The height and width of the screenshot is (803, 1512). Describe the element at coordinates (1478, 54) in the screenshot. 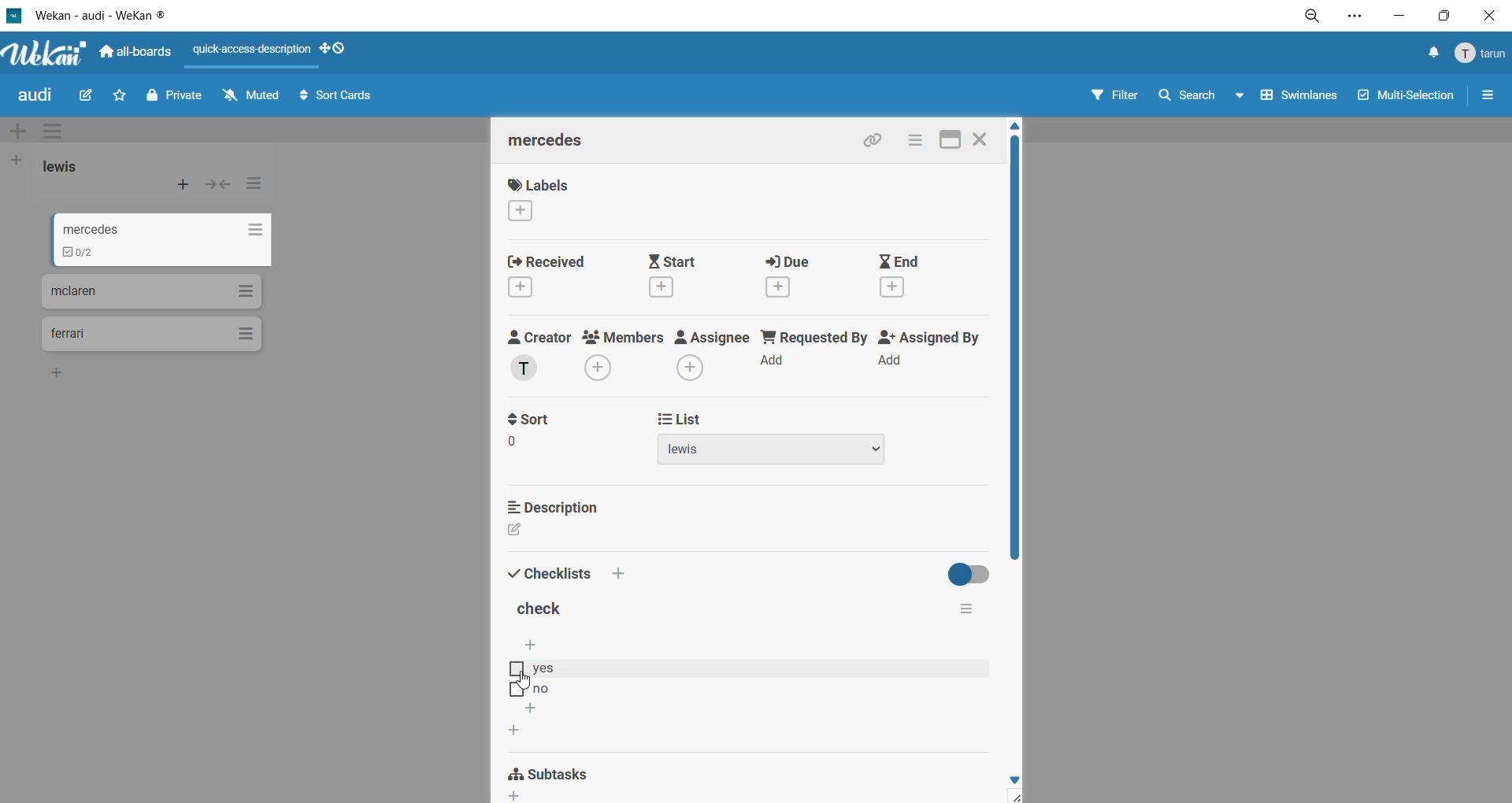

I see `menu` at that location.